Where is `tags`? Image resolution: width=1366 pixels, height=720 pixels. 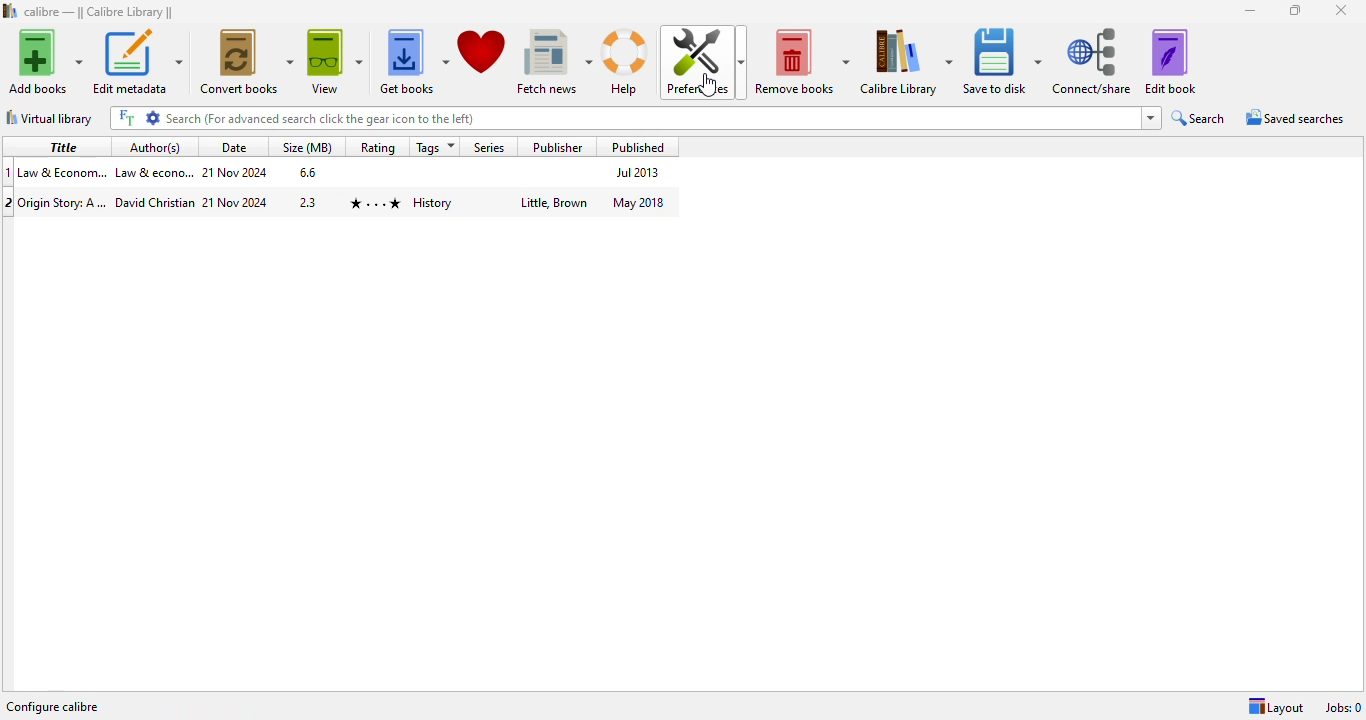
tags is located at coordinates (436, 147).